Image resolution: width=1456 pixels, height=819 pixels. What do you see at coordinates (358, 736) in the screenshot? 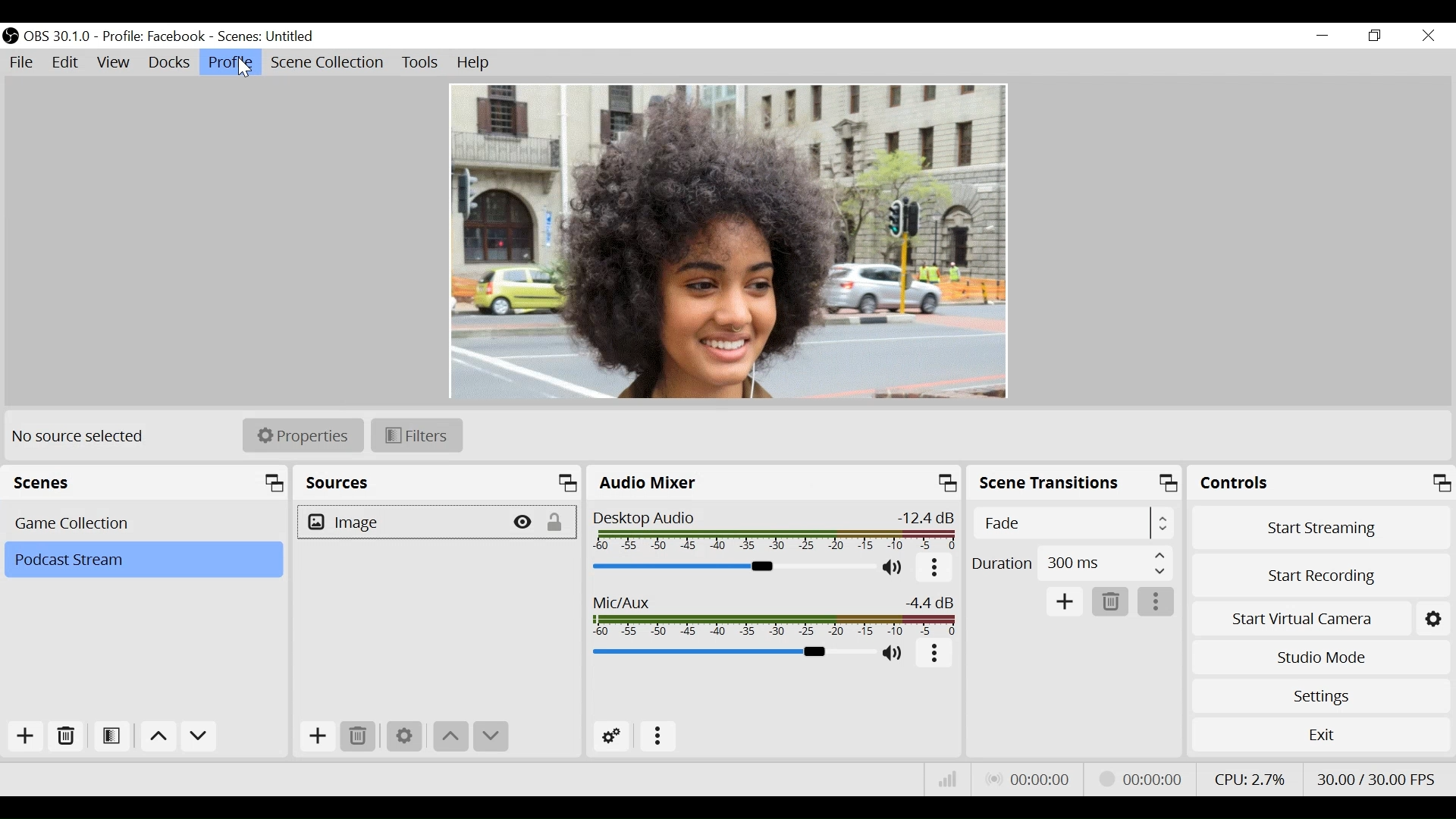
I see `Remove` at bounding box center [358, 736].